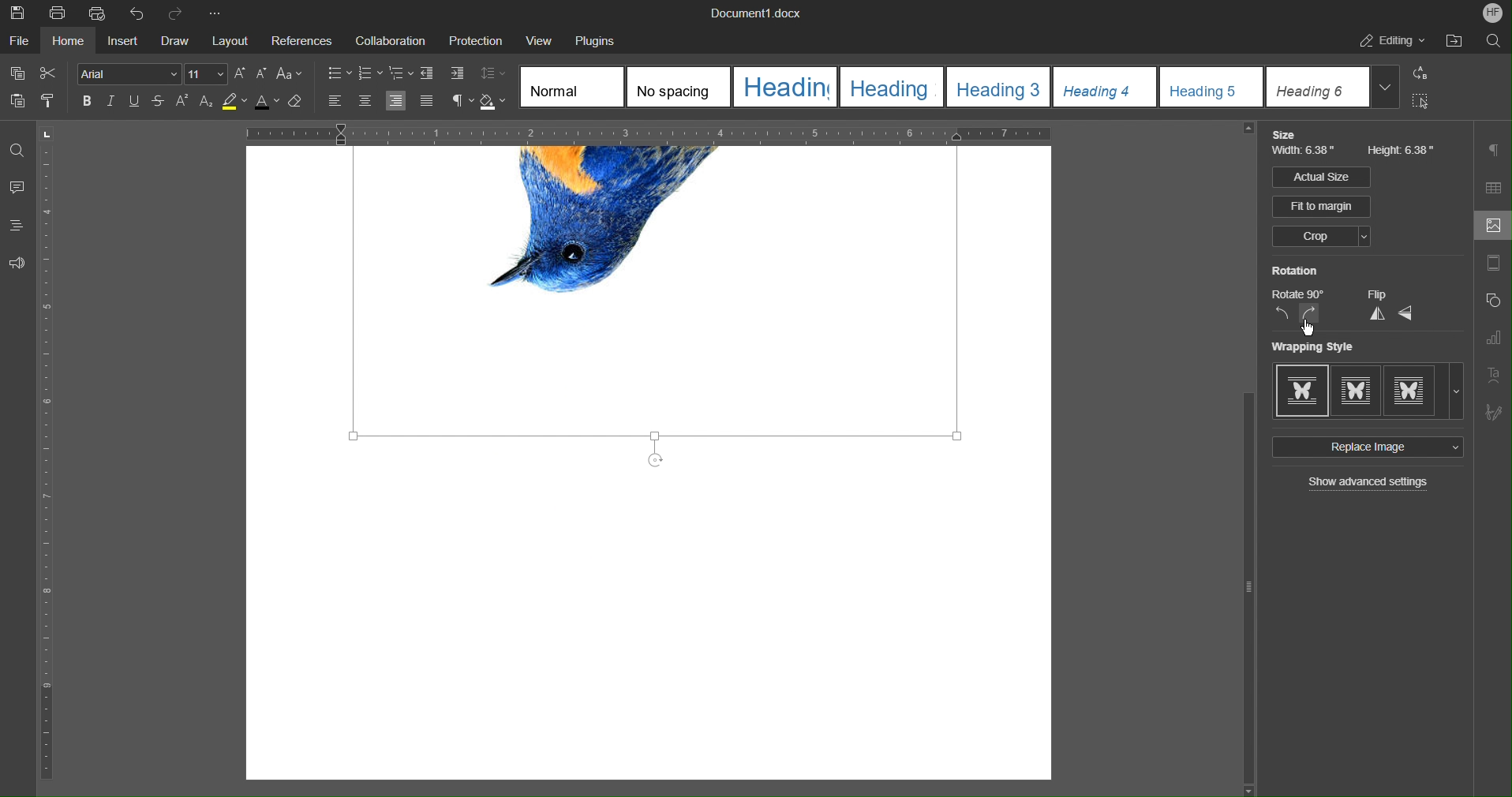 This screenshot has width=1512, height=797. What do you see at coordinates (1297, 270) in the screenshot?
I see `Rotation` at bounding box center [1297, 270].